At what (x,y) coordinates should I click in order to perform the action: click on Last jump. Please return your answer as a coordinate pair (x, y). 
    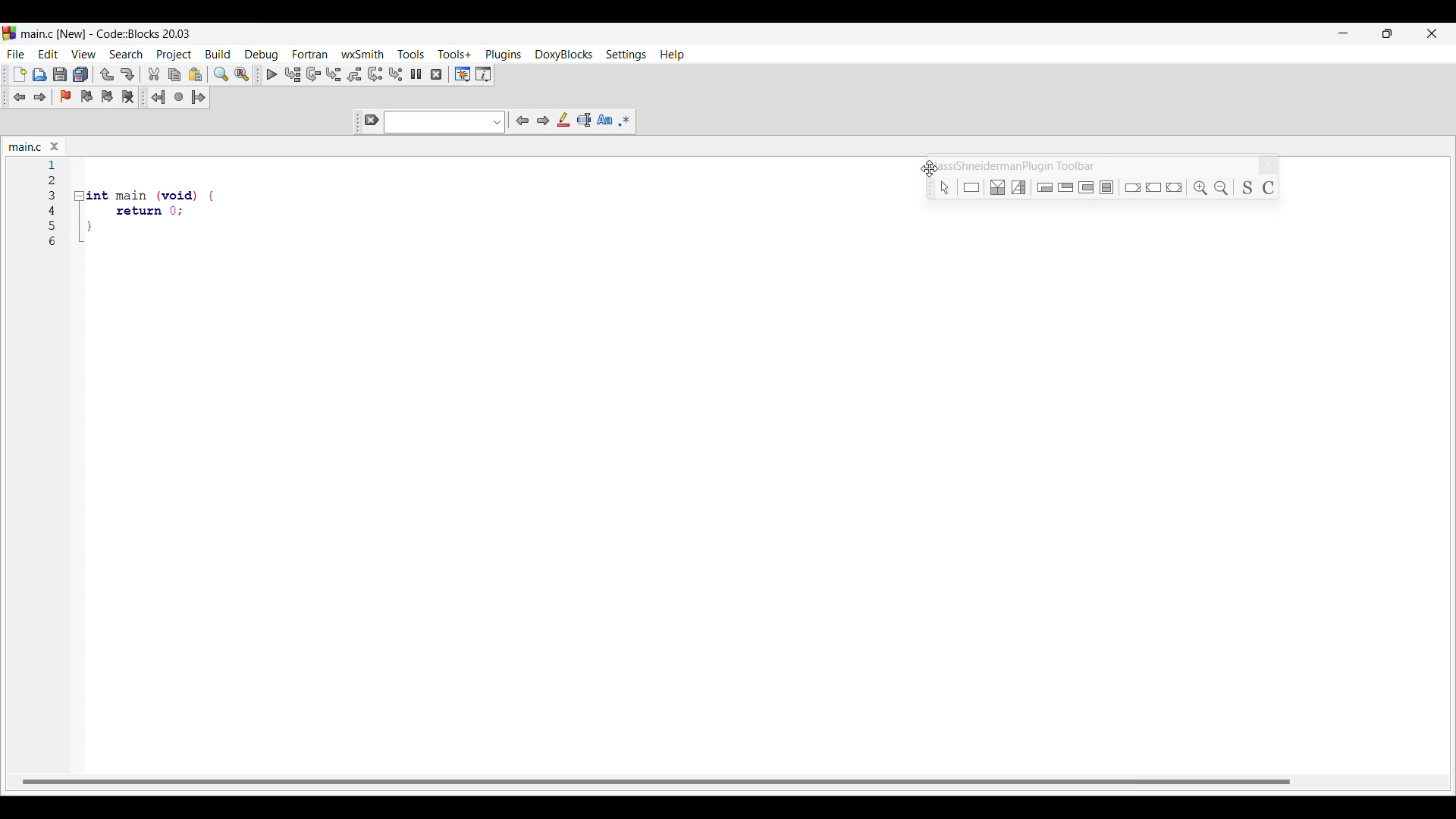
    Looking at the image, I should click on (179, 96).